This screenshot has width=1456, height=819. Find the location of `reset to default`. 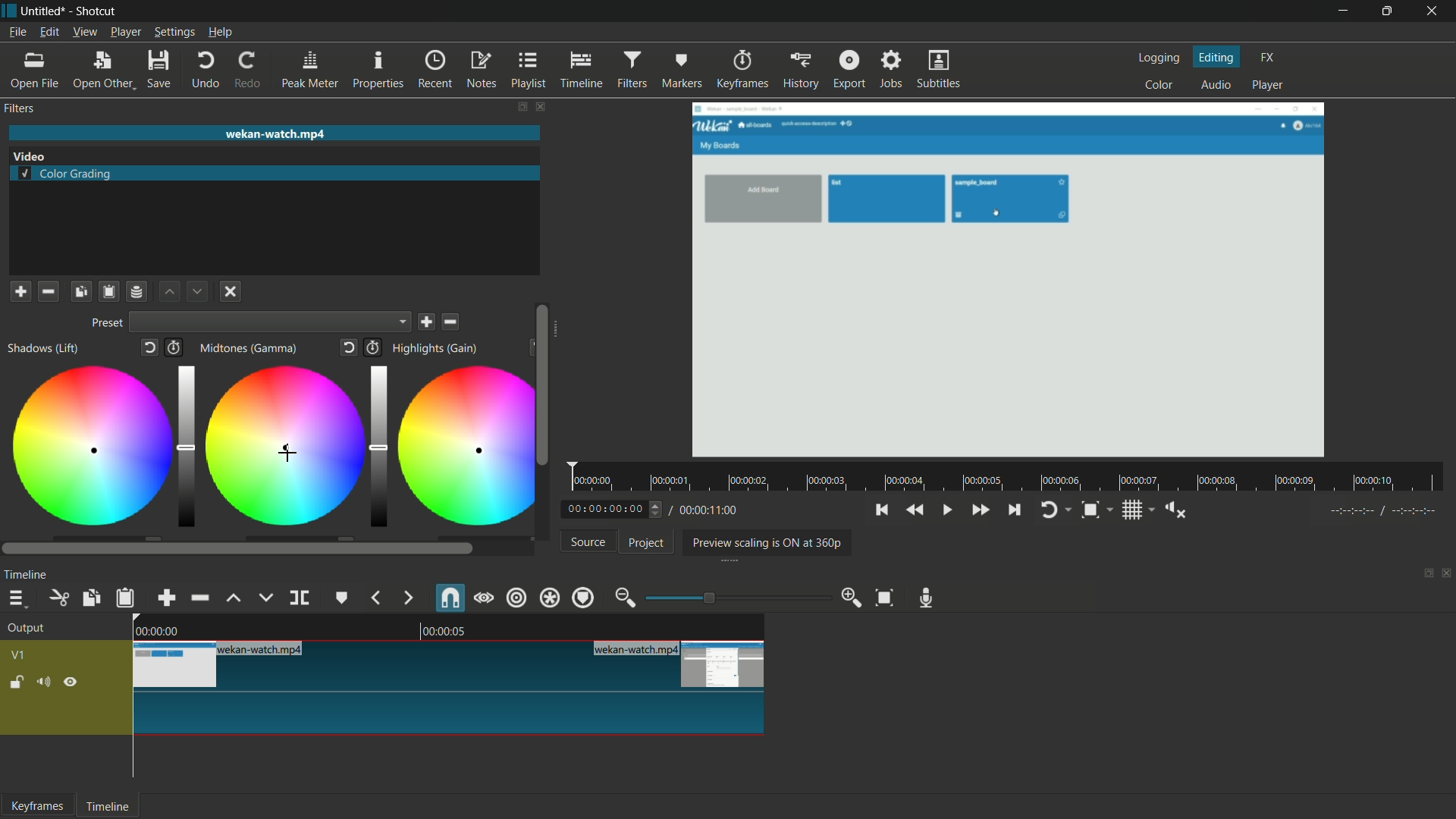

reset to default is located at coordinates (350, 347).